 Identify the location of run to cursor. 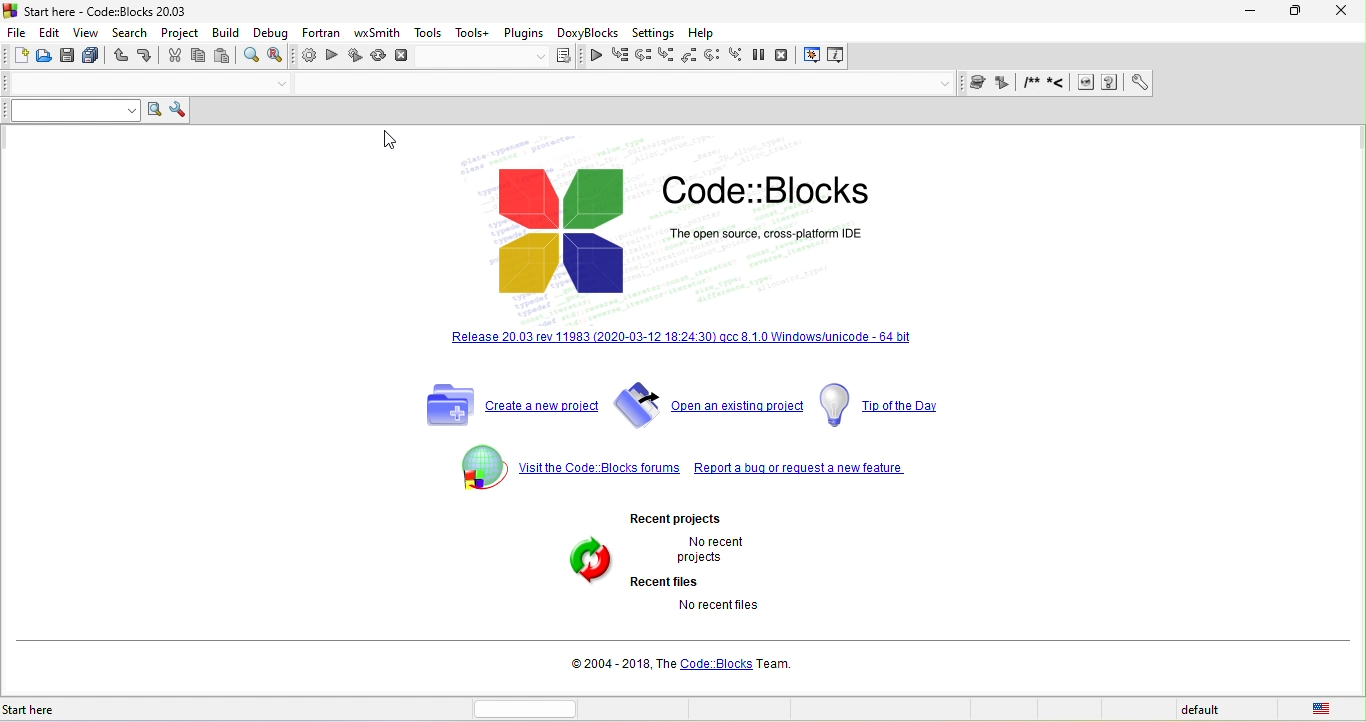
(620, 57).